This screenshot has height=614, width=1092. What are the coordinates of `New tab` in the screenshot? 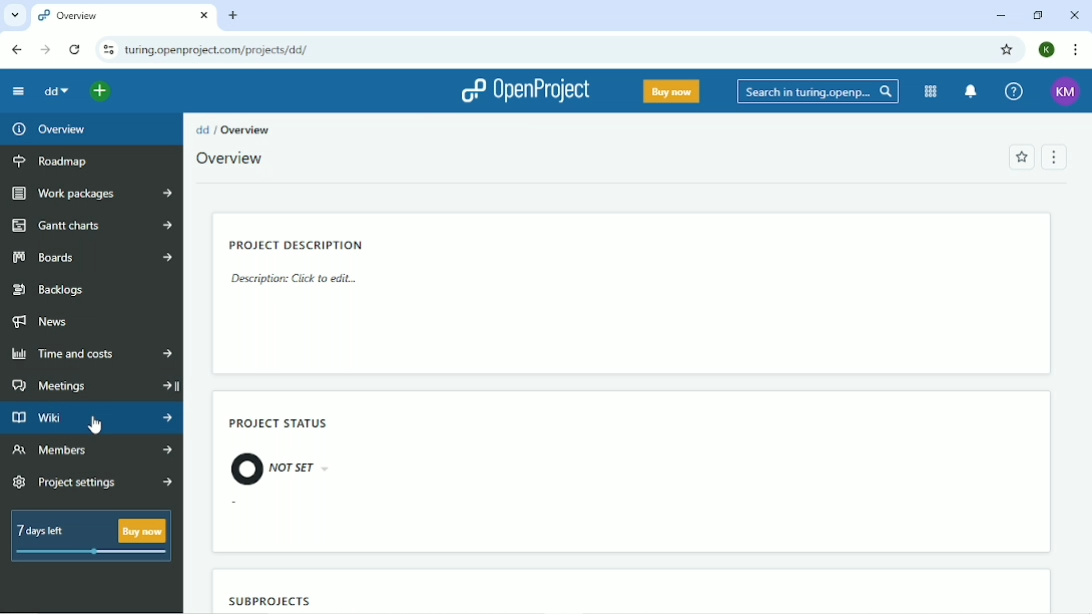 It's located at (232, 16).